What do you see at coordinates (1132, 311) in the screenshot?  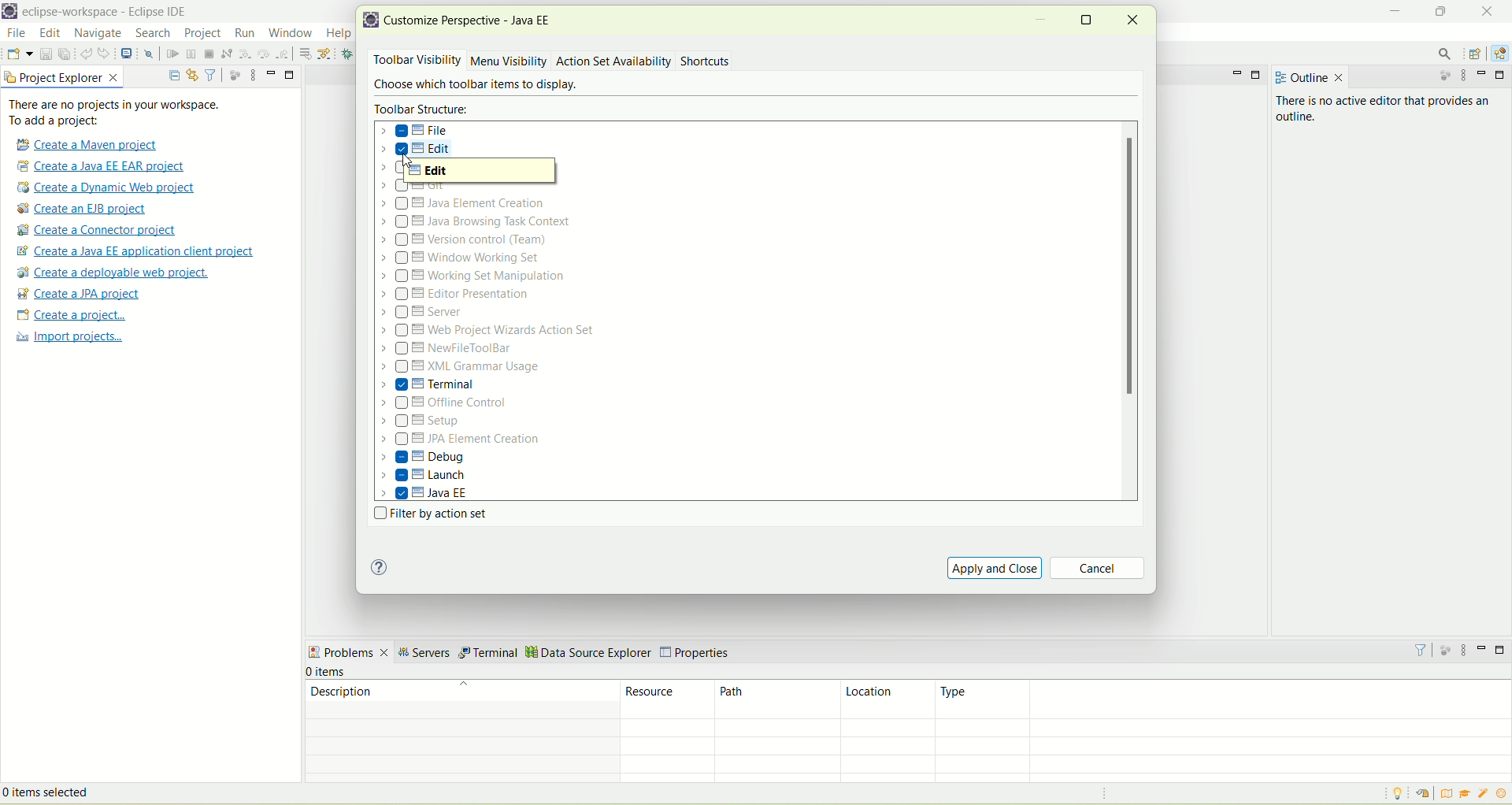 I see `scroll bar` at bounding box center [1132, 311].